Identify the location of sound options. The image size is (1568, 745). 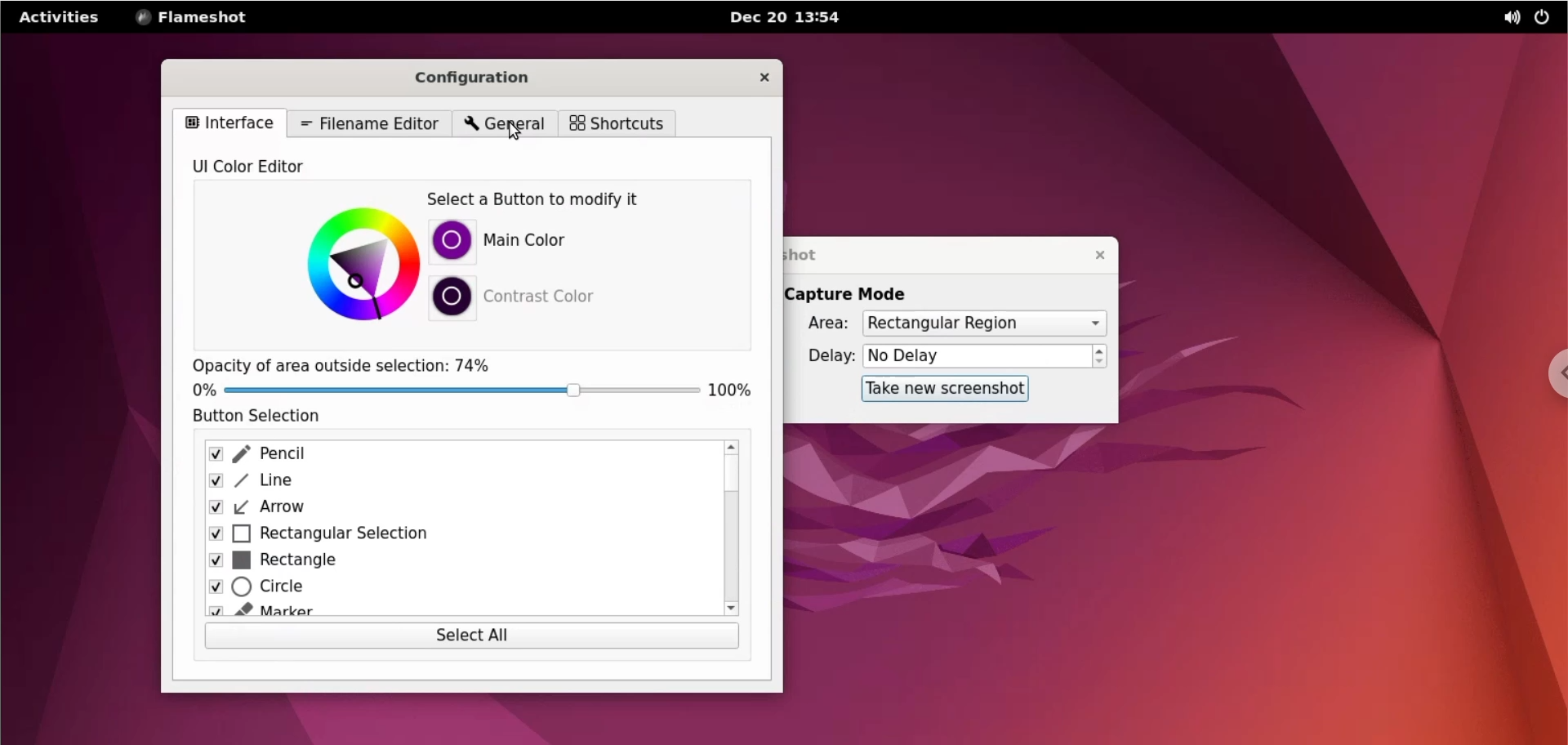
(1505, 18).